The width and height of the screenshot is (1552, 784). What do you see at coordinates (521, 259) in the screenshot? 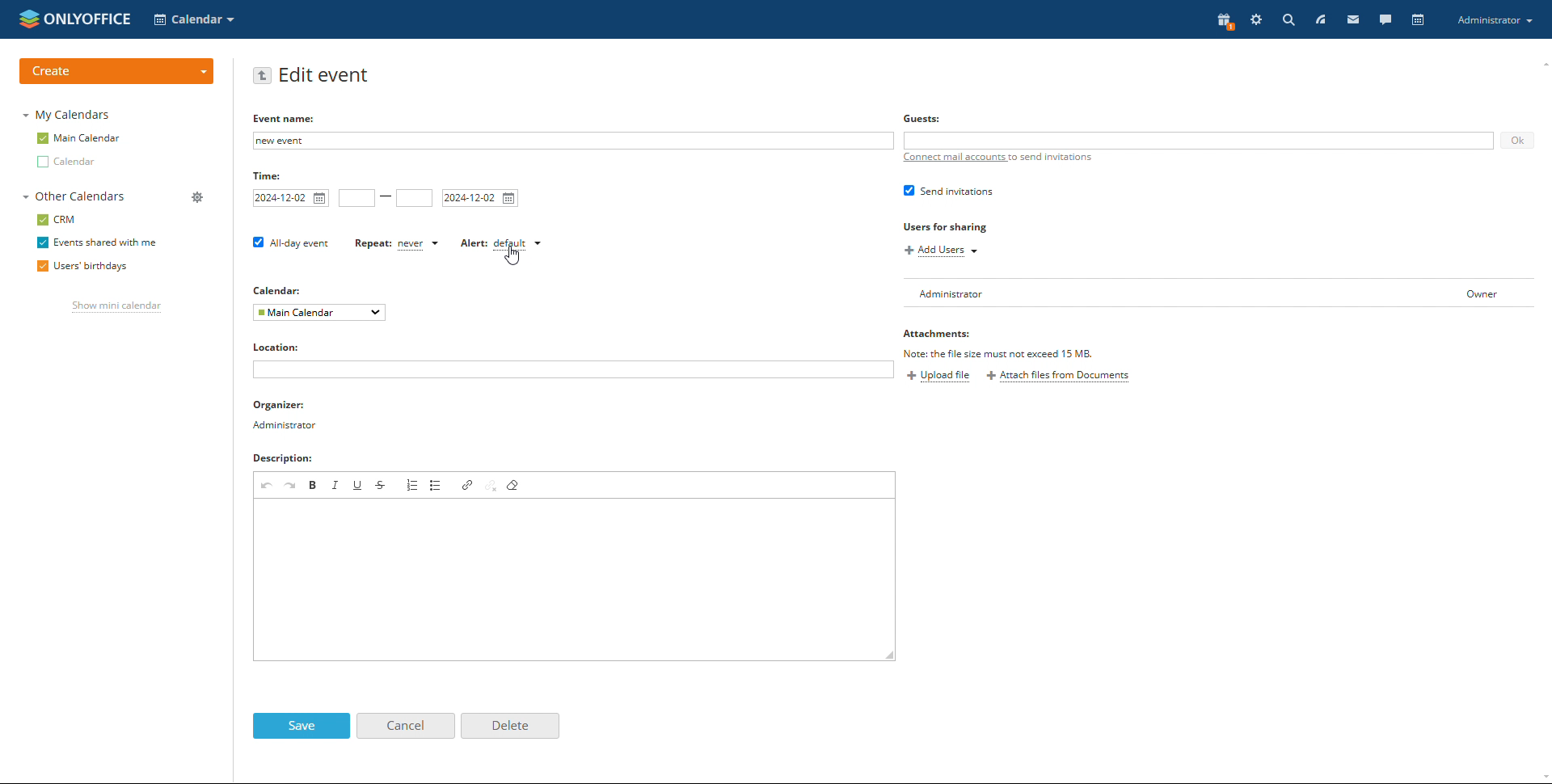
I see `cursor` at bounding box center [521, 259].